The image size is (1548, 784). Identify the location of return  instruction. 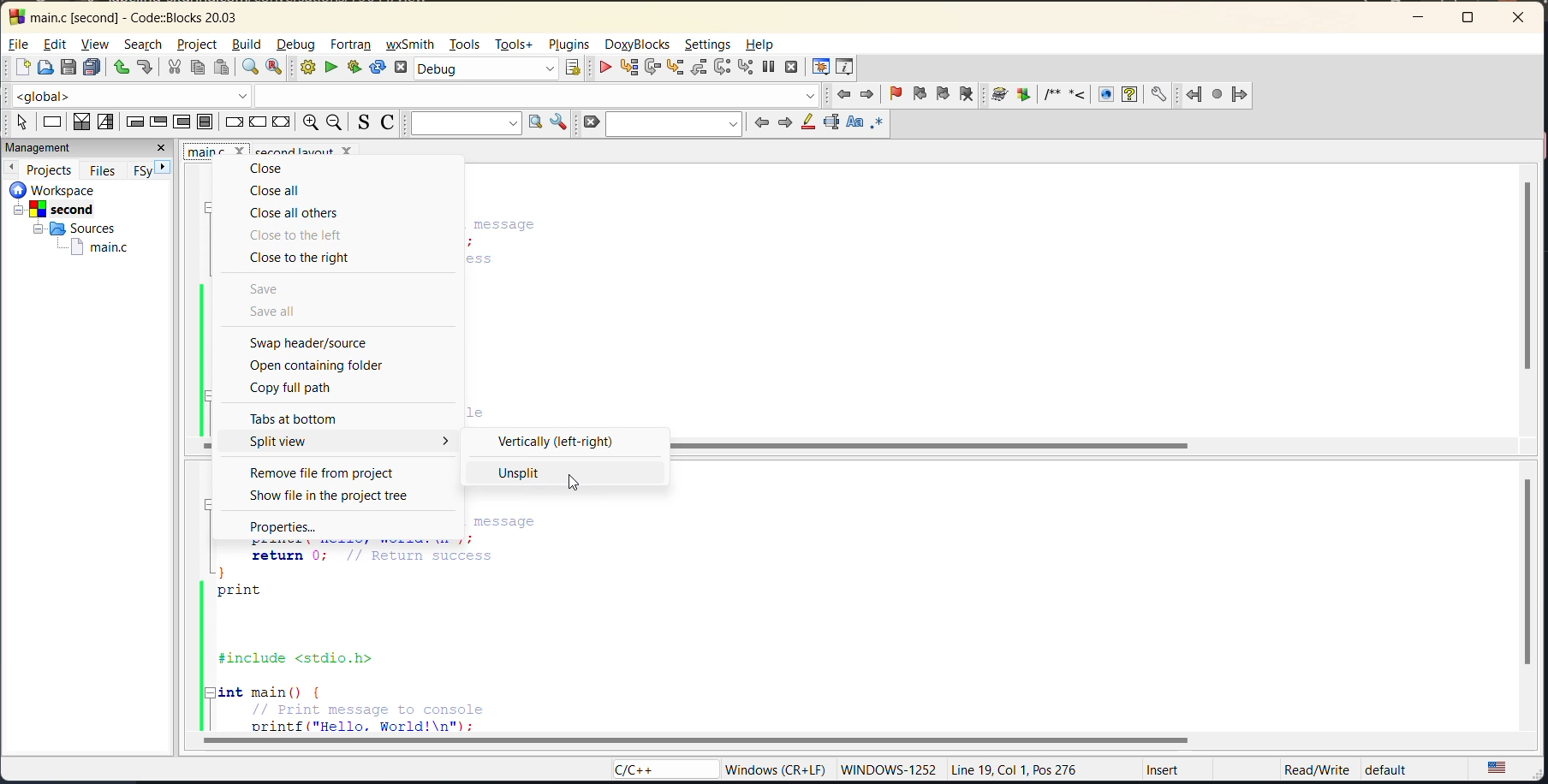
(283, 122).